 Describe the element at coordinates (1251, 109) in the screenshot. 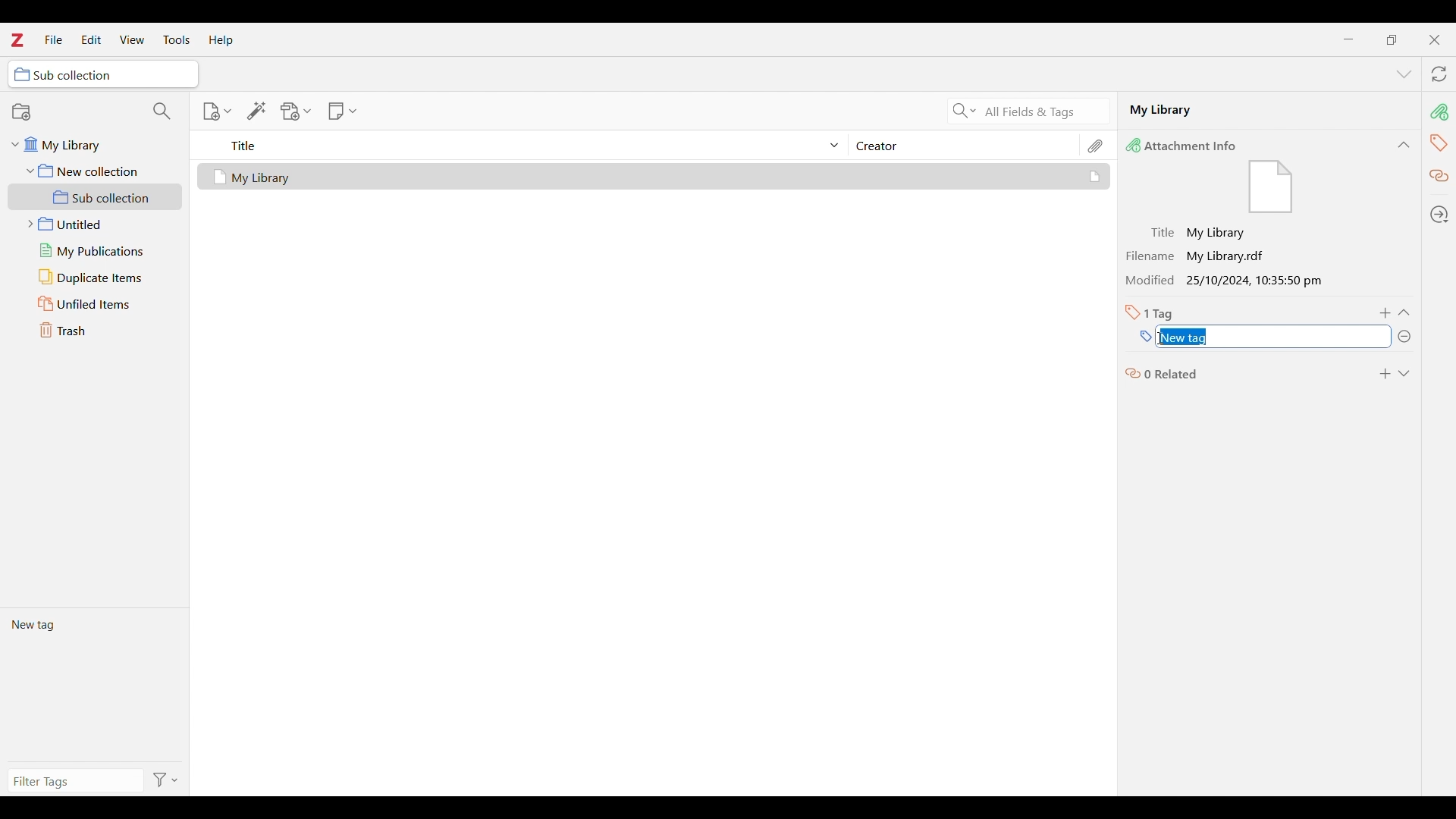

I see `Name of selected file` at that location.